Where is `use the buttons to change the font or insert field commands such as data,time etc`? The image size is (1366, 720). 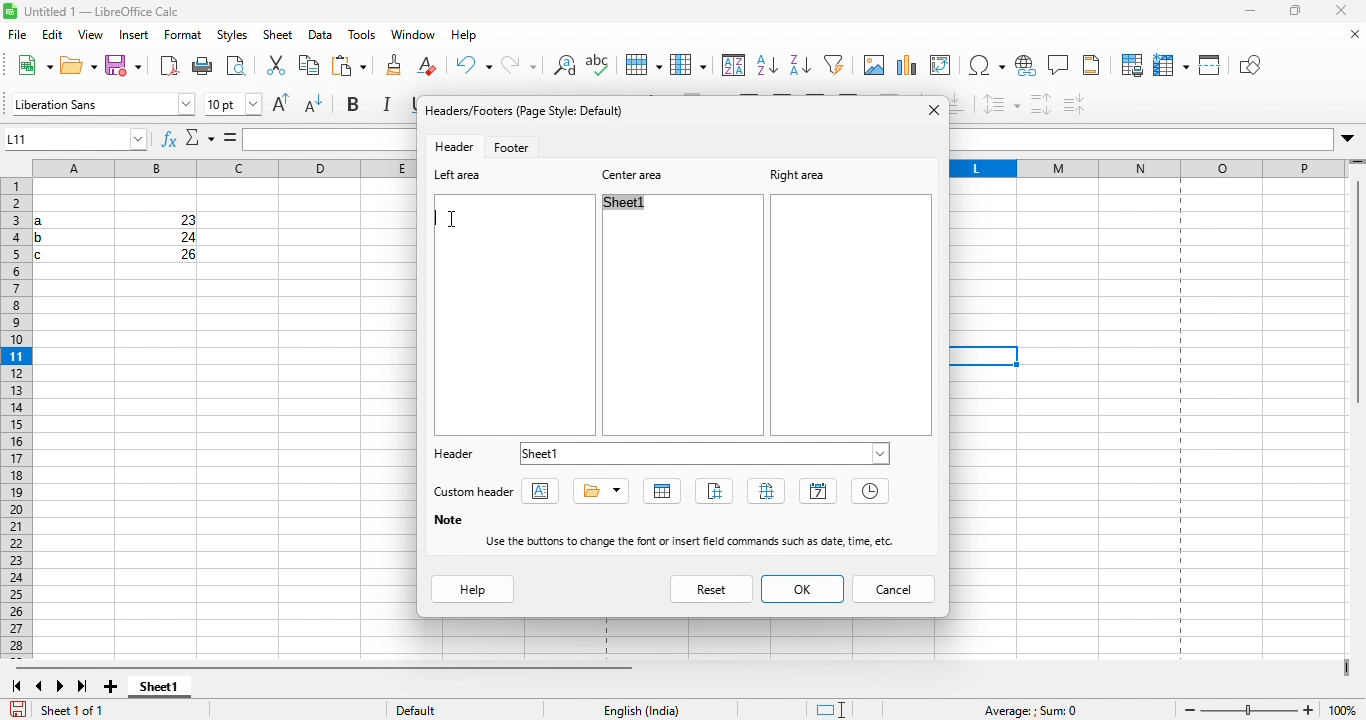 use the buttons to change the font or insert field commands such as data,time etc is located at coordinates (691, 543).